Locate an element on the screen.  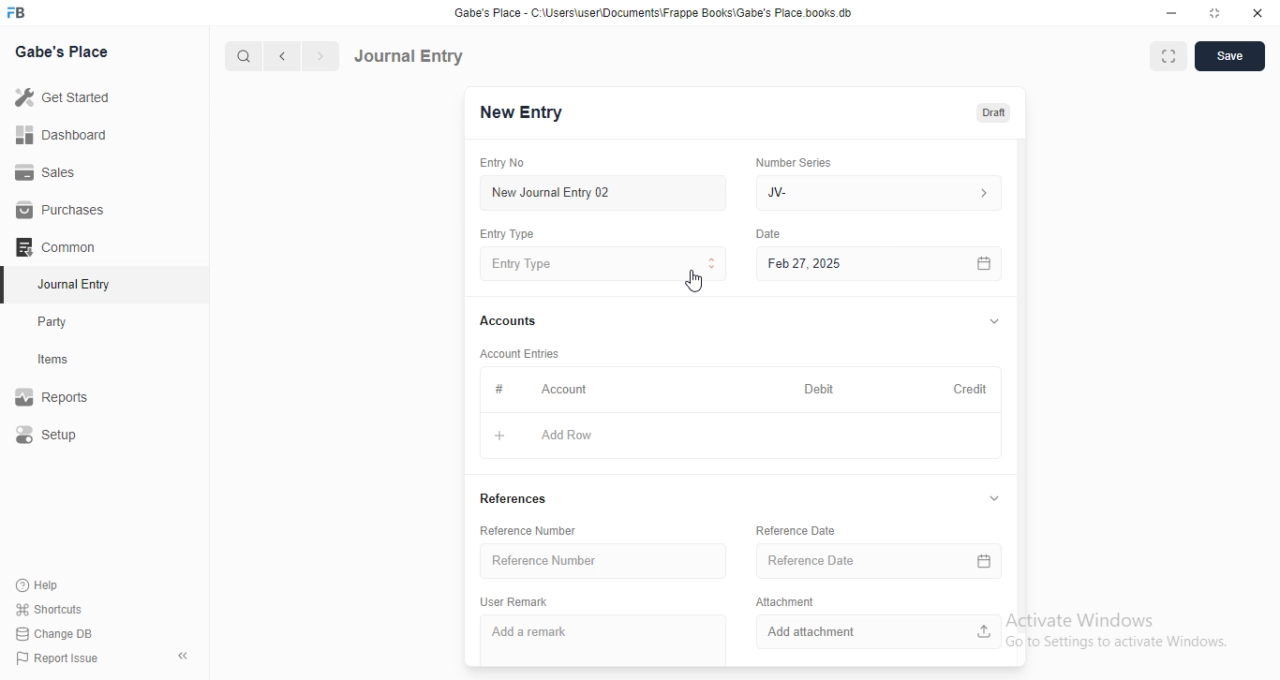
| Report Issue is located at coordinates (59, 658).